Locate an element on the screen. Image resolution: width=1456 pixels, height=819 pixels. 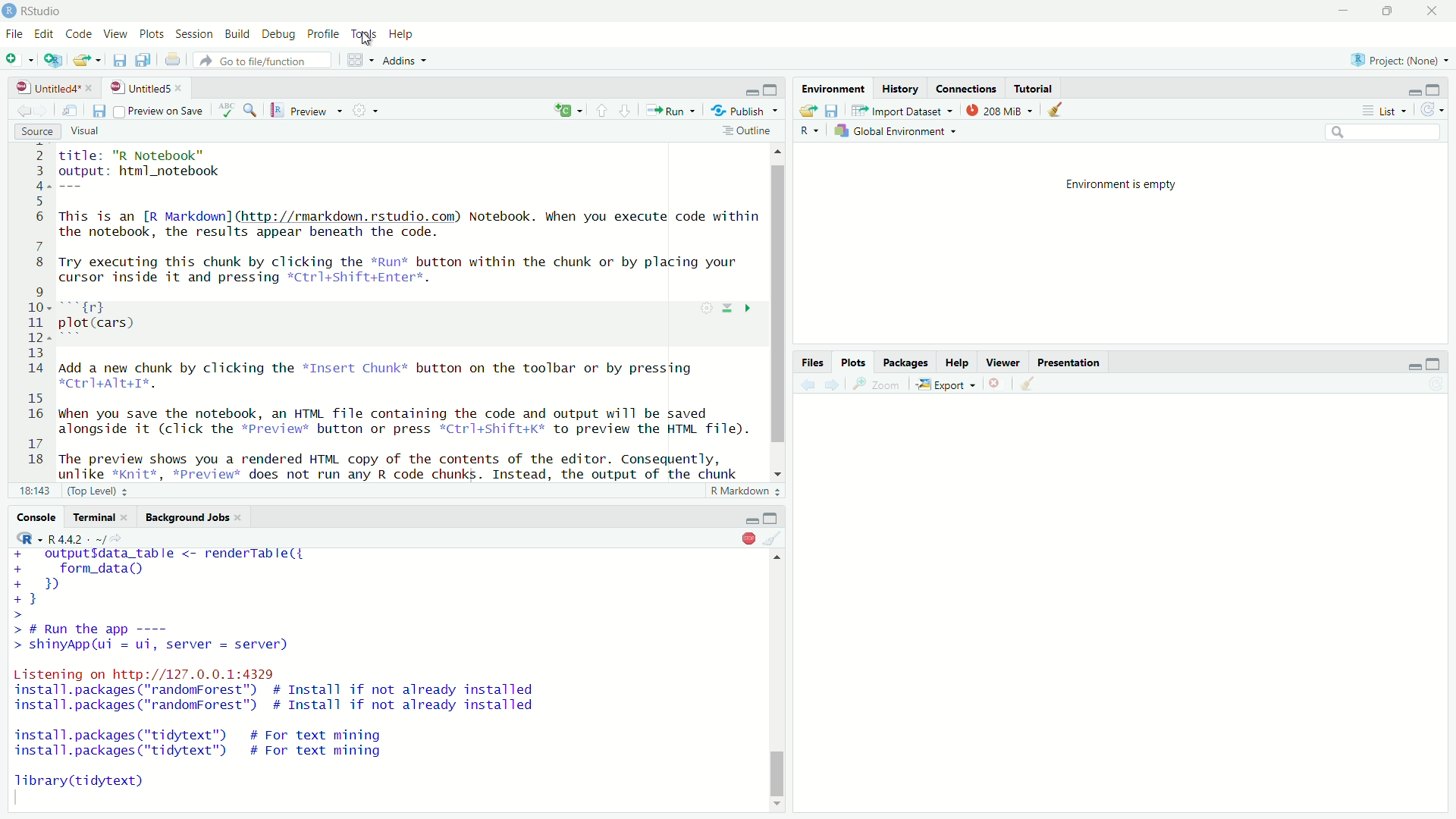
Outline is located at coordinates (746, 132).